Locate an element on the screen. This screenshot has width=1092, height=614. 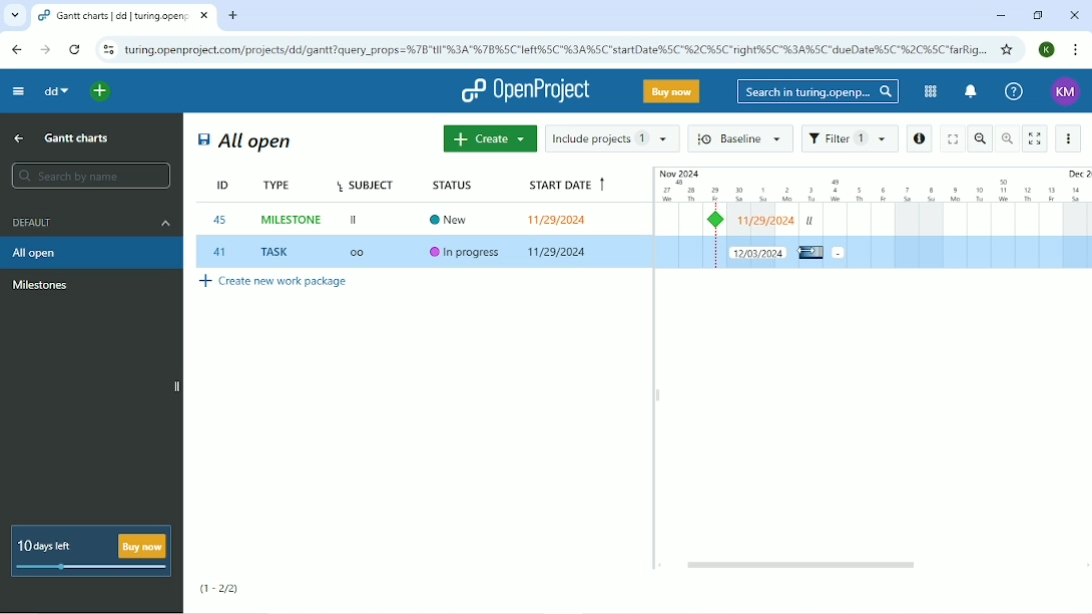
(1-2/2) is located at coordinates (219, 589).